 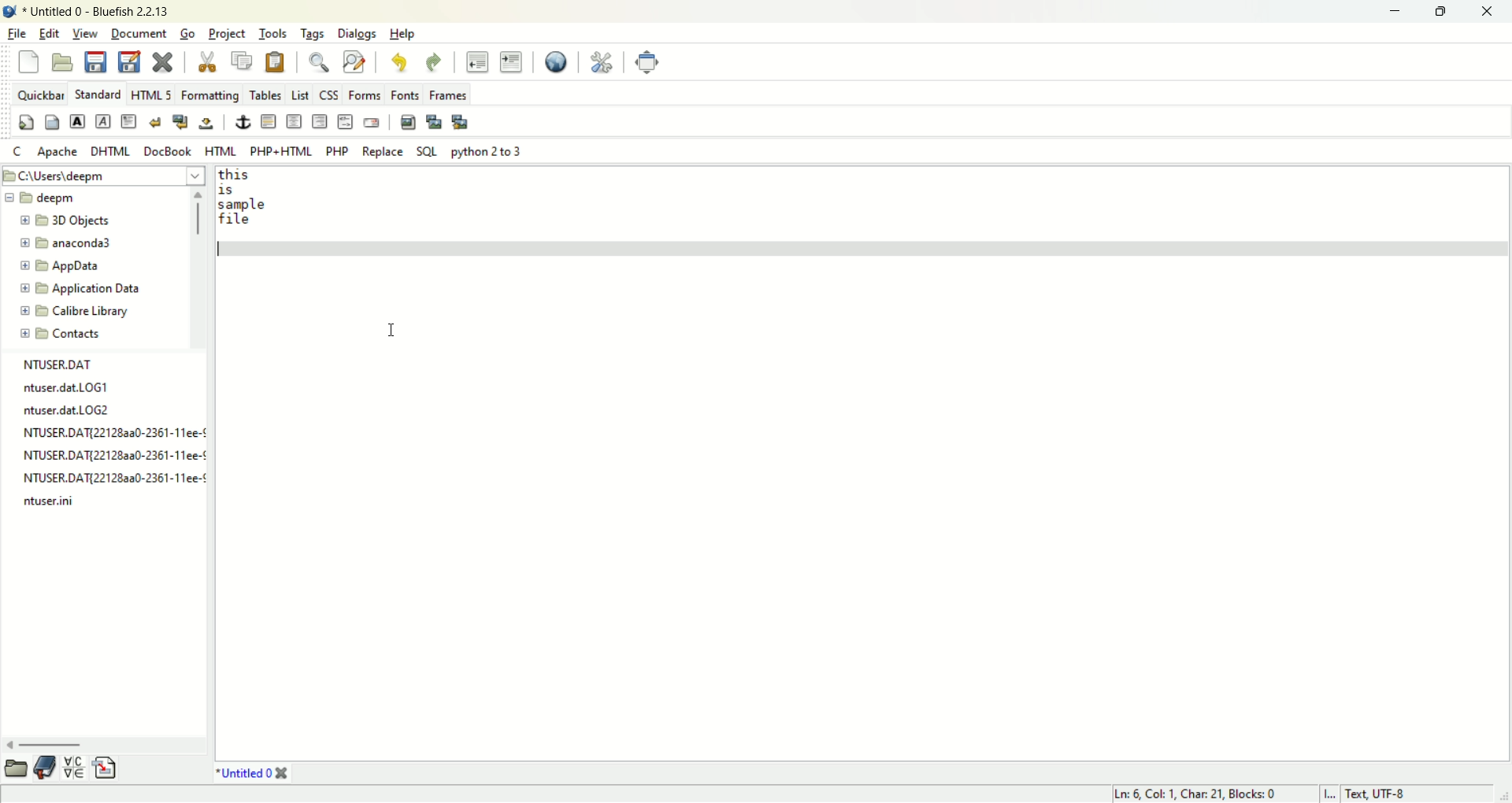 I want to click on unindent, so click(x=476, y=61).